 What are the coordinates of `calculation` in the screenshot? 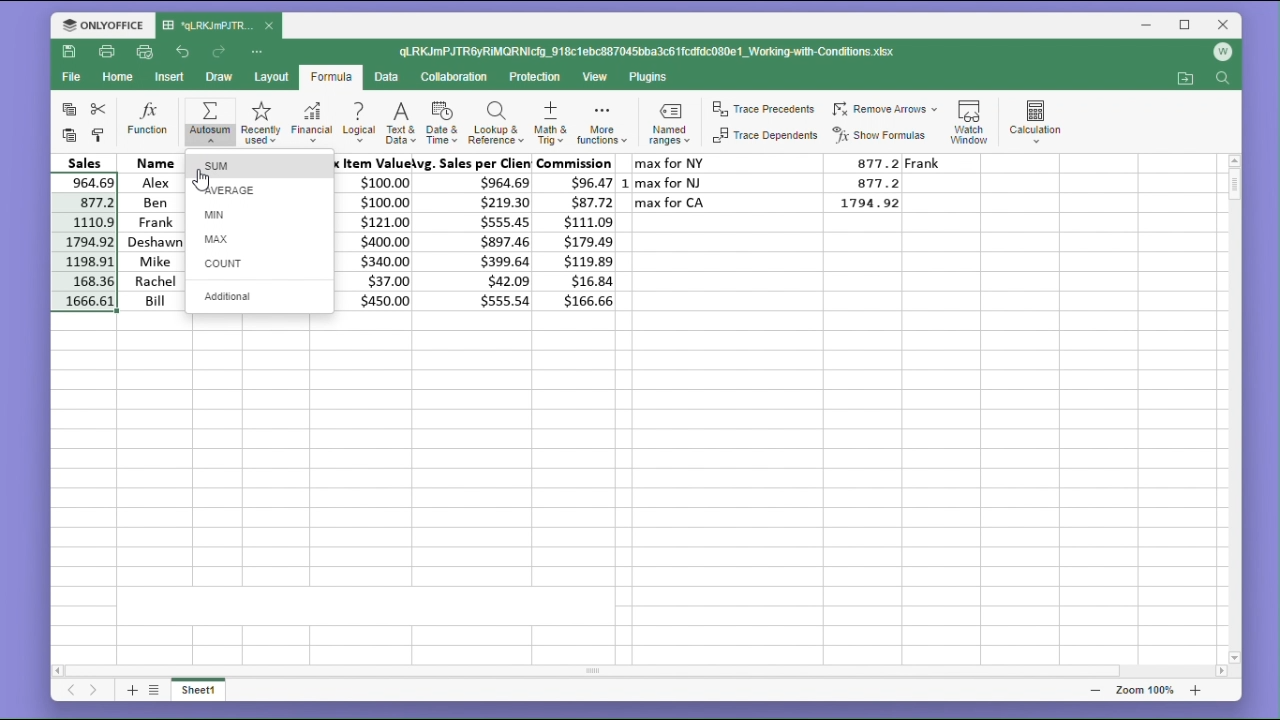 It's located at (1041, 118).